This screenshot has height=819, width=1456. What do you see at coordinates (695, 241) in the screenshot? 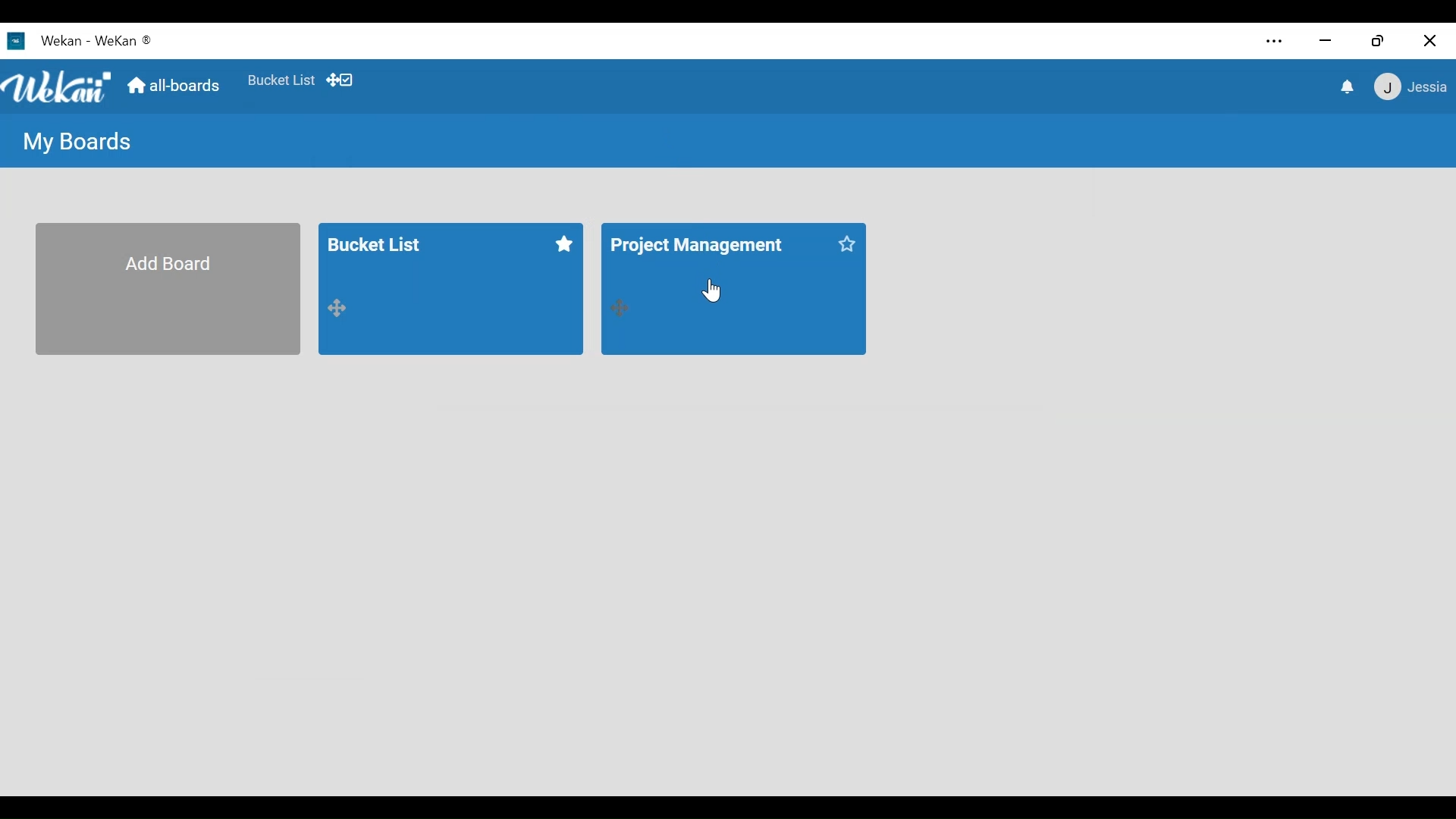
I see `project management` at bounding box center [695, 241].